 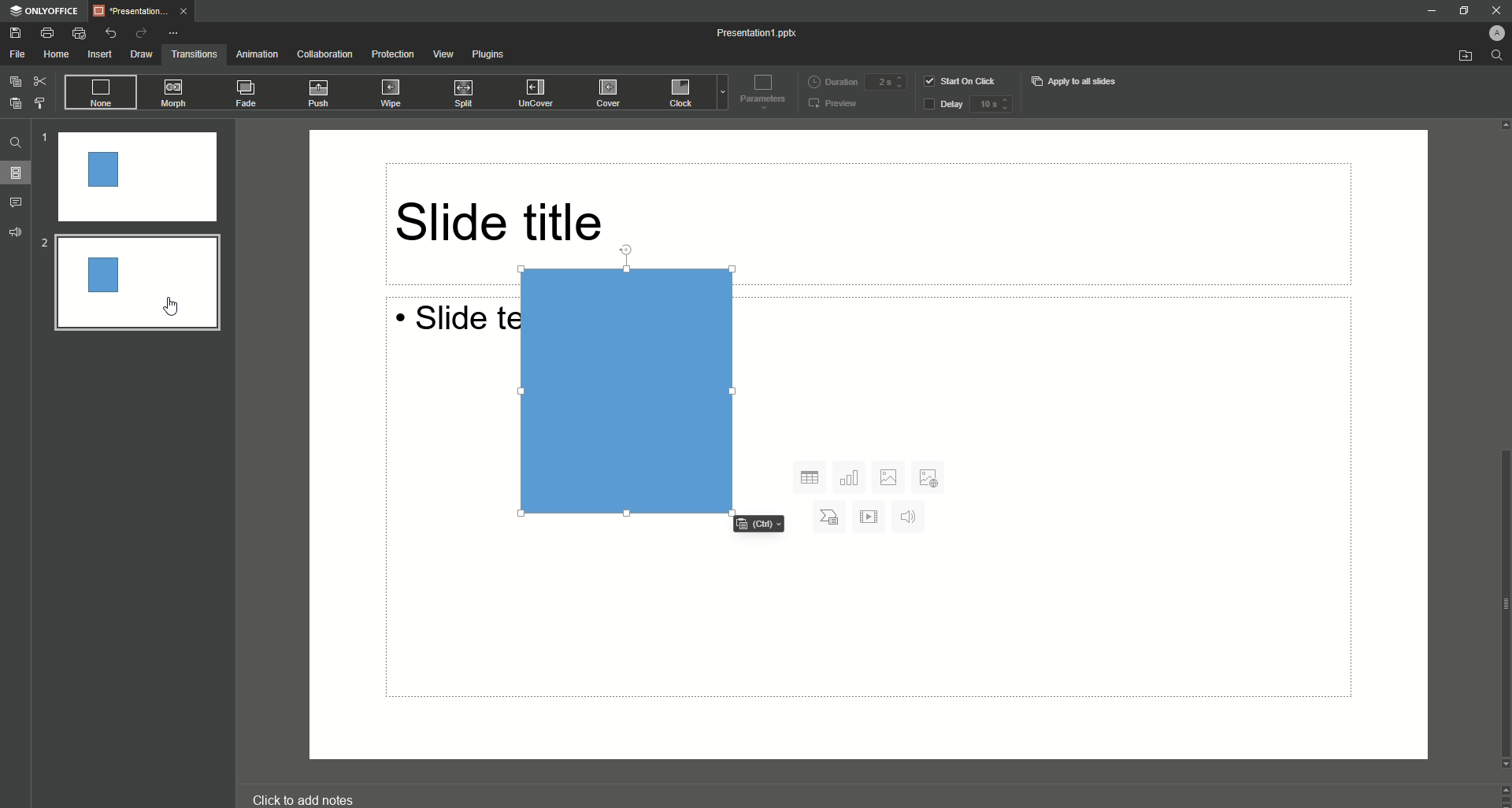 I want to click on Minimize, so click(x=1429, y=9).